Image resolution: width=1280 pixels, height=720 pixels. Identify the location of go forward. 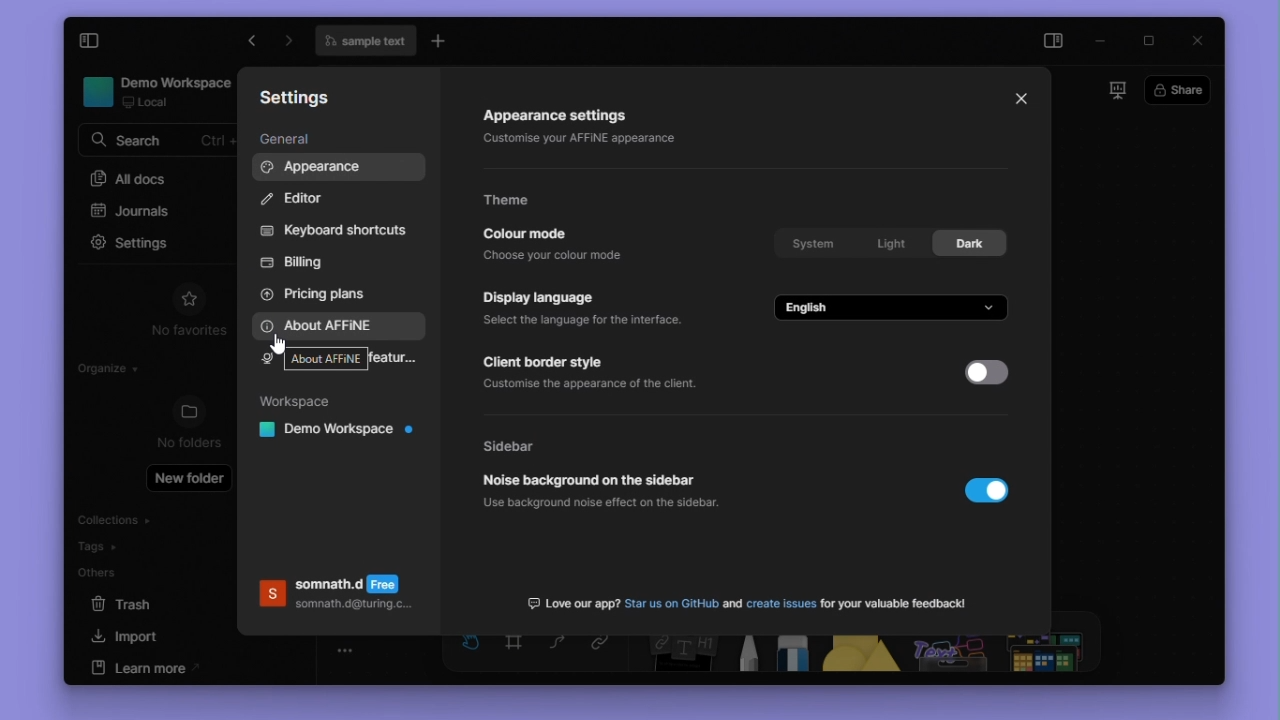
(254, 42).